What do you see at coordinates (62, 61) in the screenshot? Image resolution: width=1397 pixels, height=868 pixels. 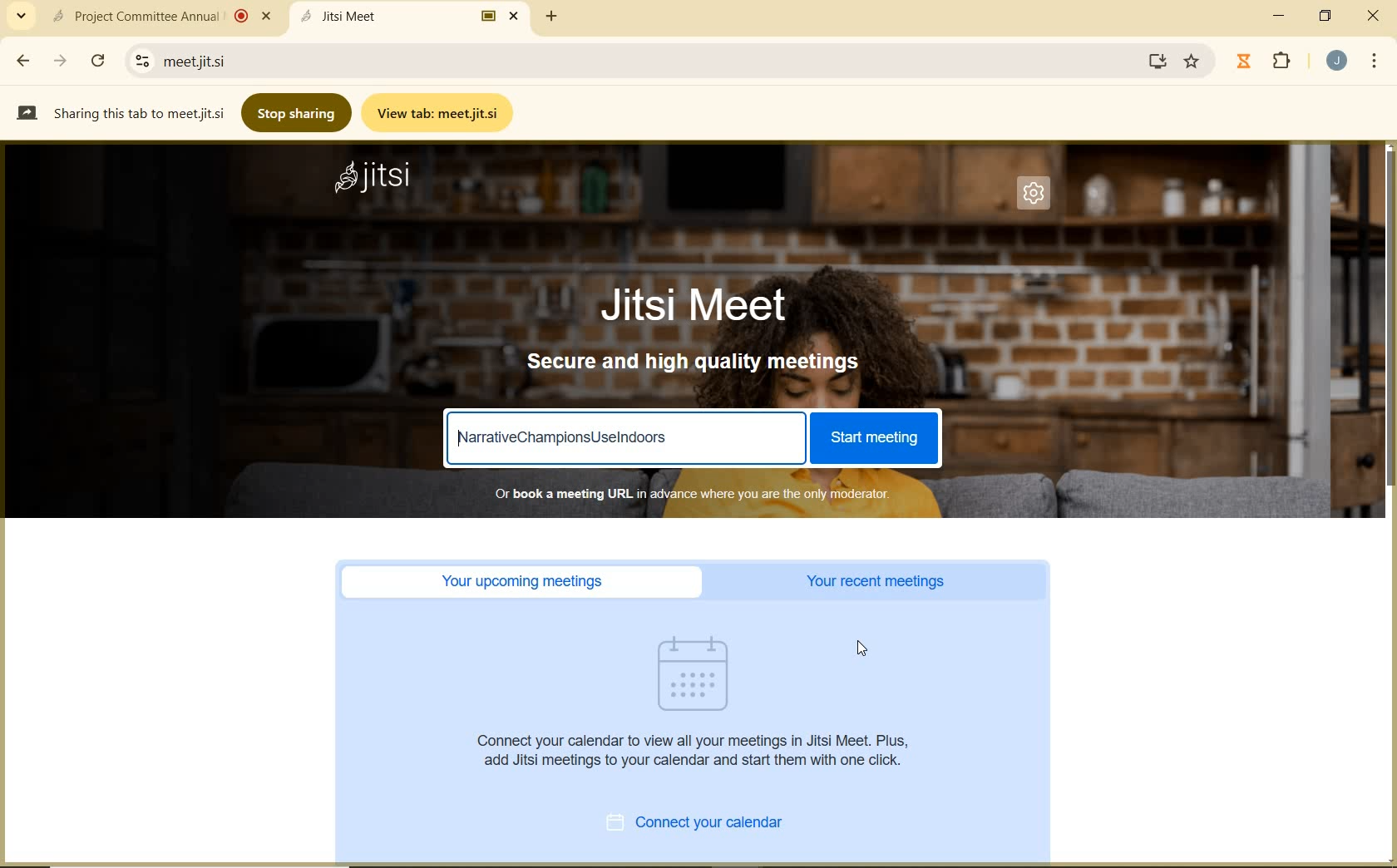 I see `FORWARD` at bounding box center [62, 61].